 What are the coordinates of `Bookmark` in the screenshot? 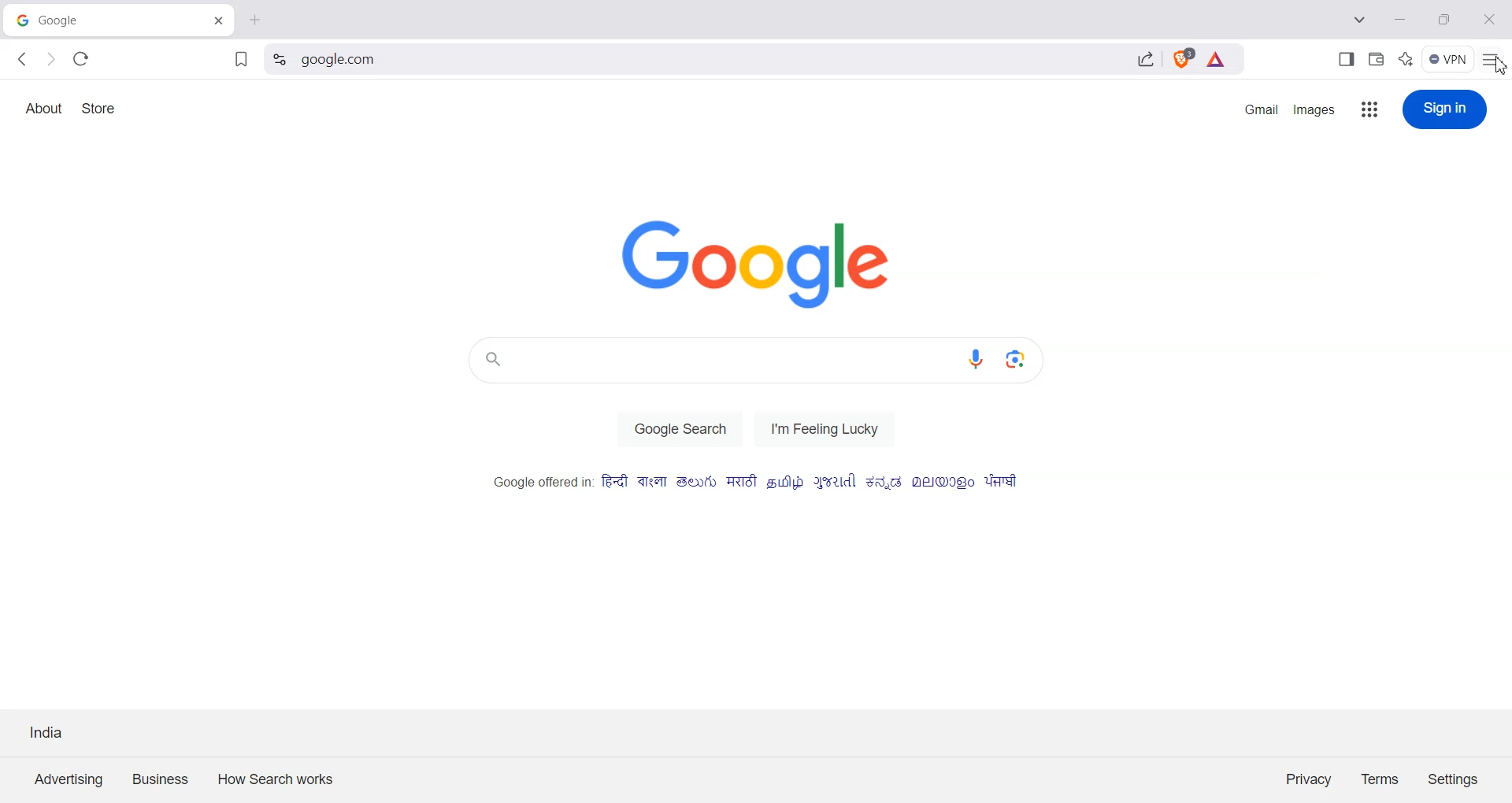 It's located at (240, 61).